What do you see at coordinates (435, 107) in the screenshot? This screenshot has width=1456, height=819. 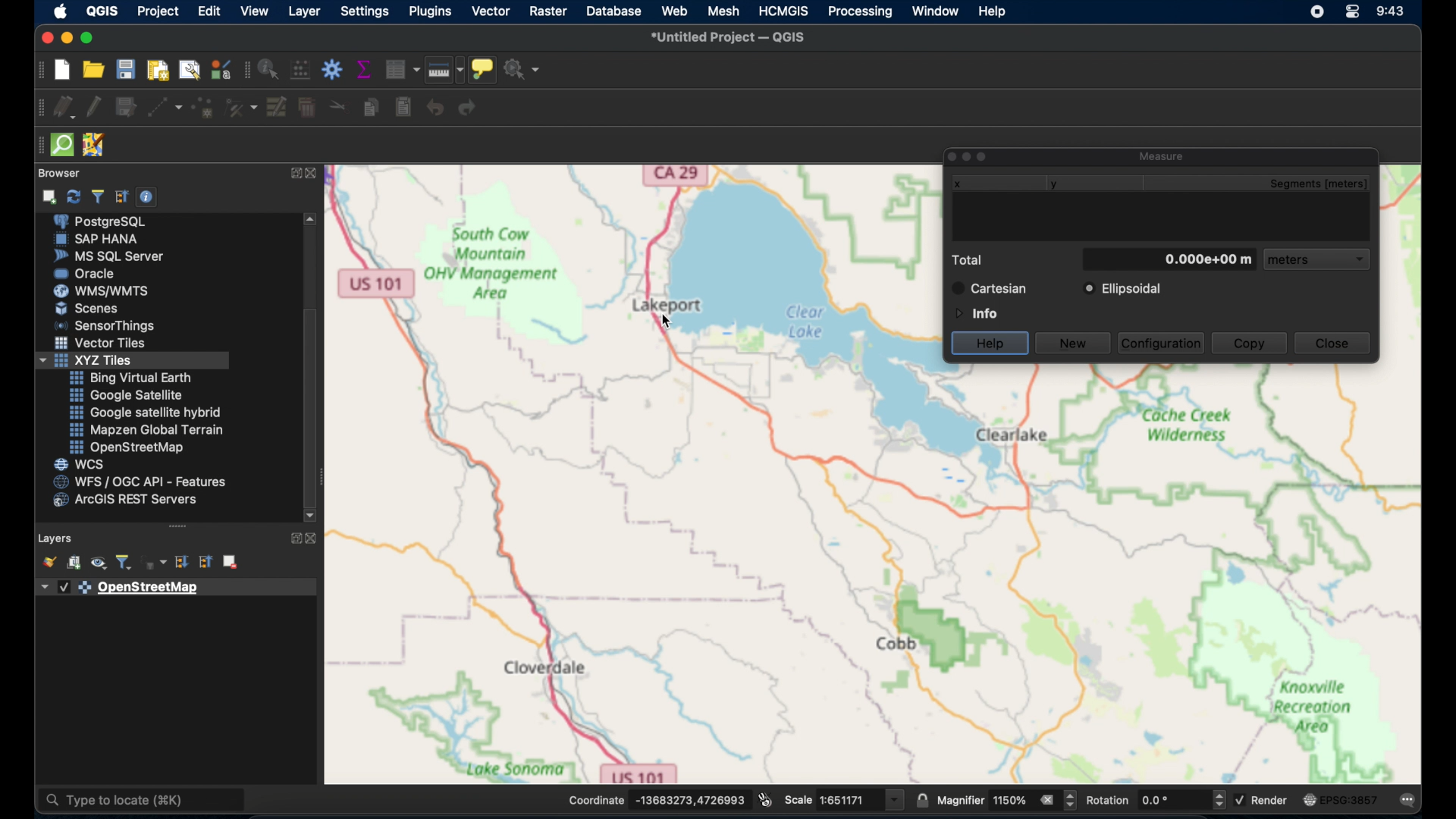 I see `undo` at bounding box center [435, 107].